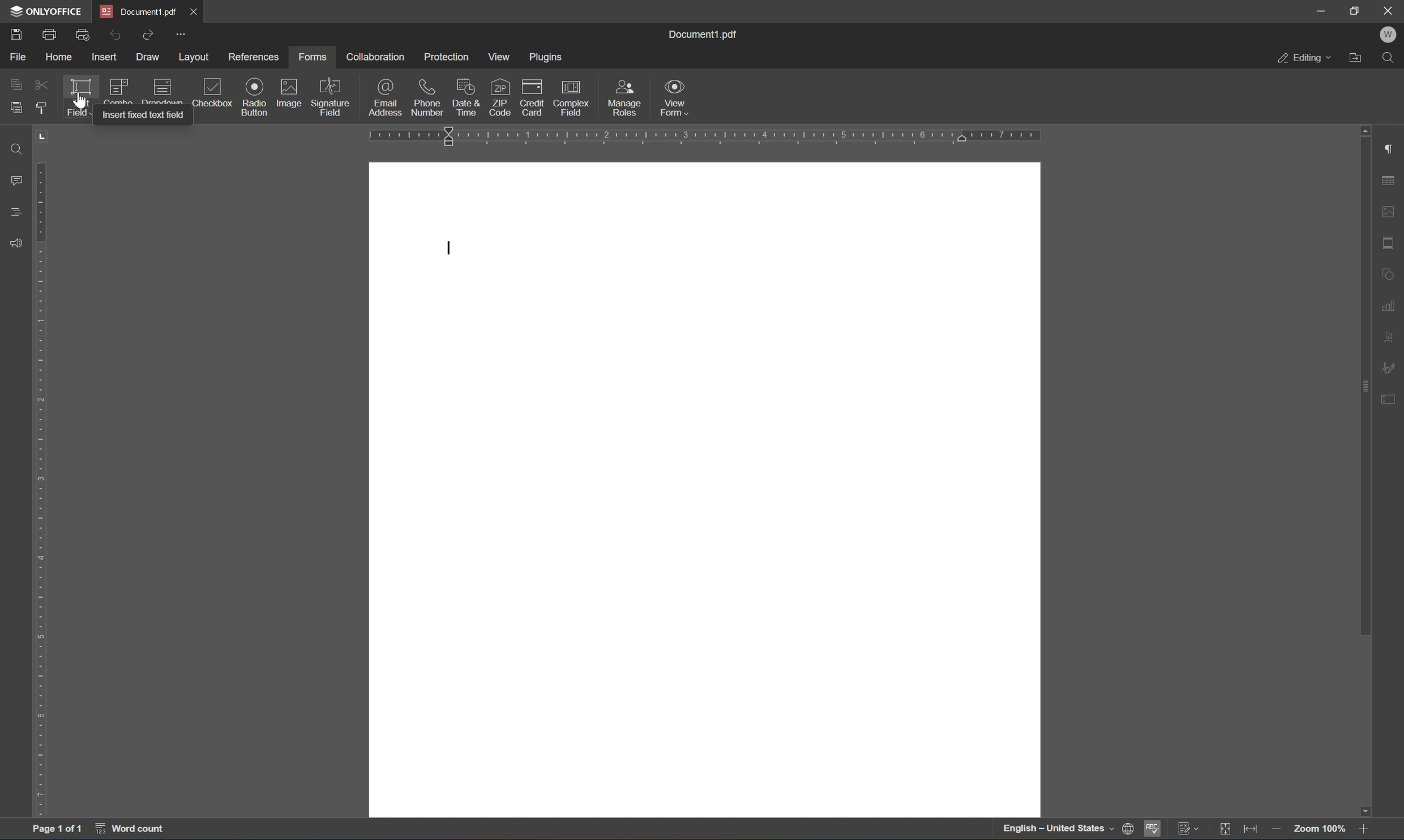 This screenshot has width=1404, height=840. I want to click on zoom out, so click(1367, 830).